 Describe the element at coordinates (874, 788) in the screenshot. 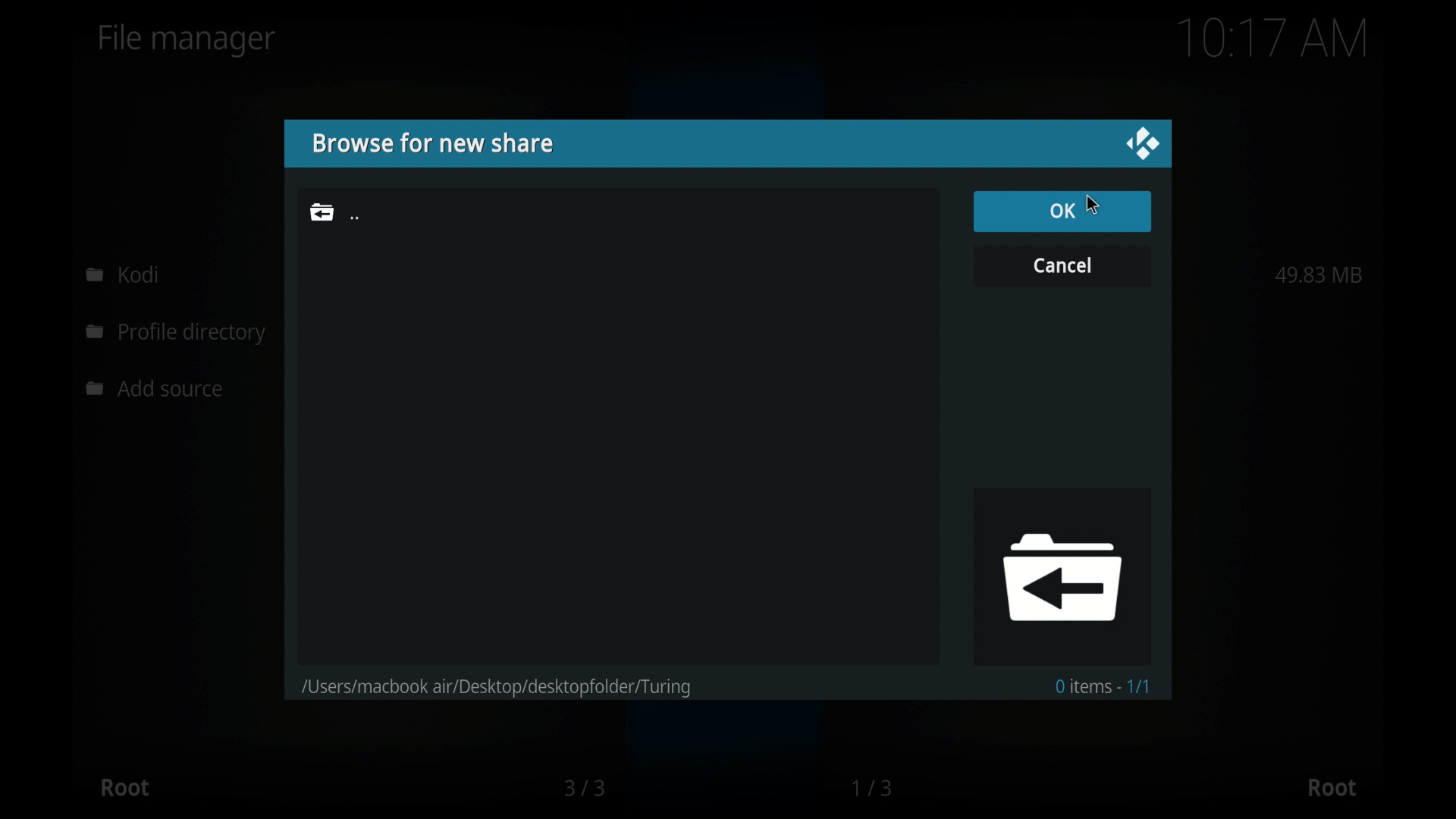

I see `1/3` at that location.